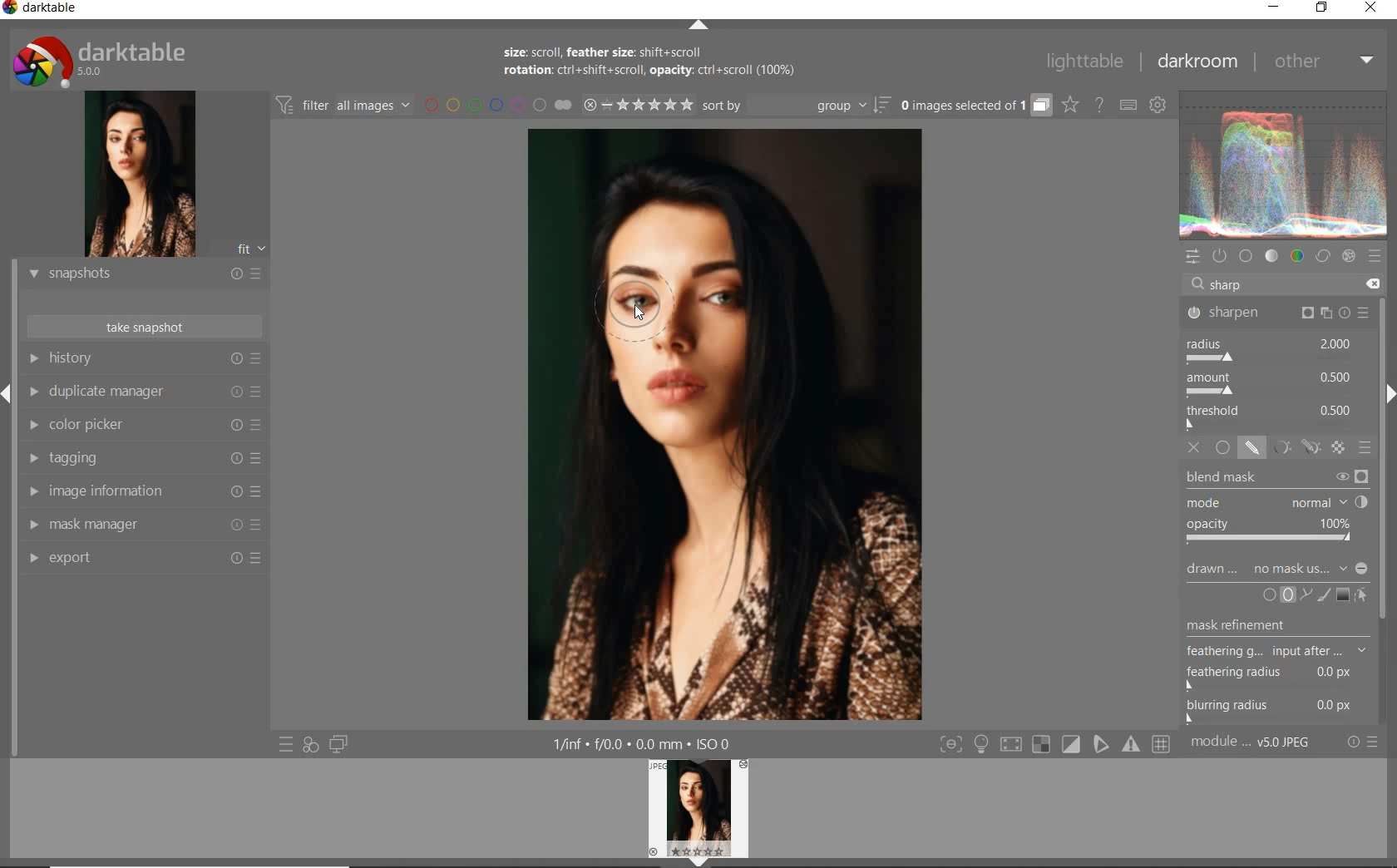 Image resolution: width=1397 pixels, height=868 pixels. I want to click on mask refinement options, so click(1278, 653).